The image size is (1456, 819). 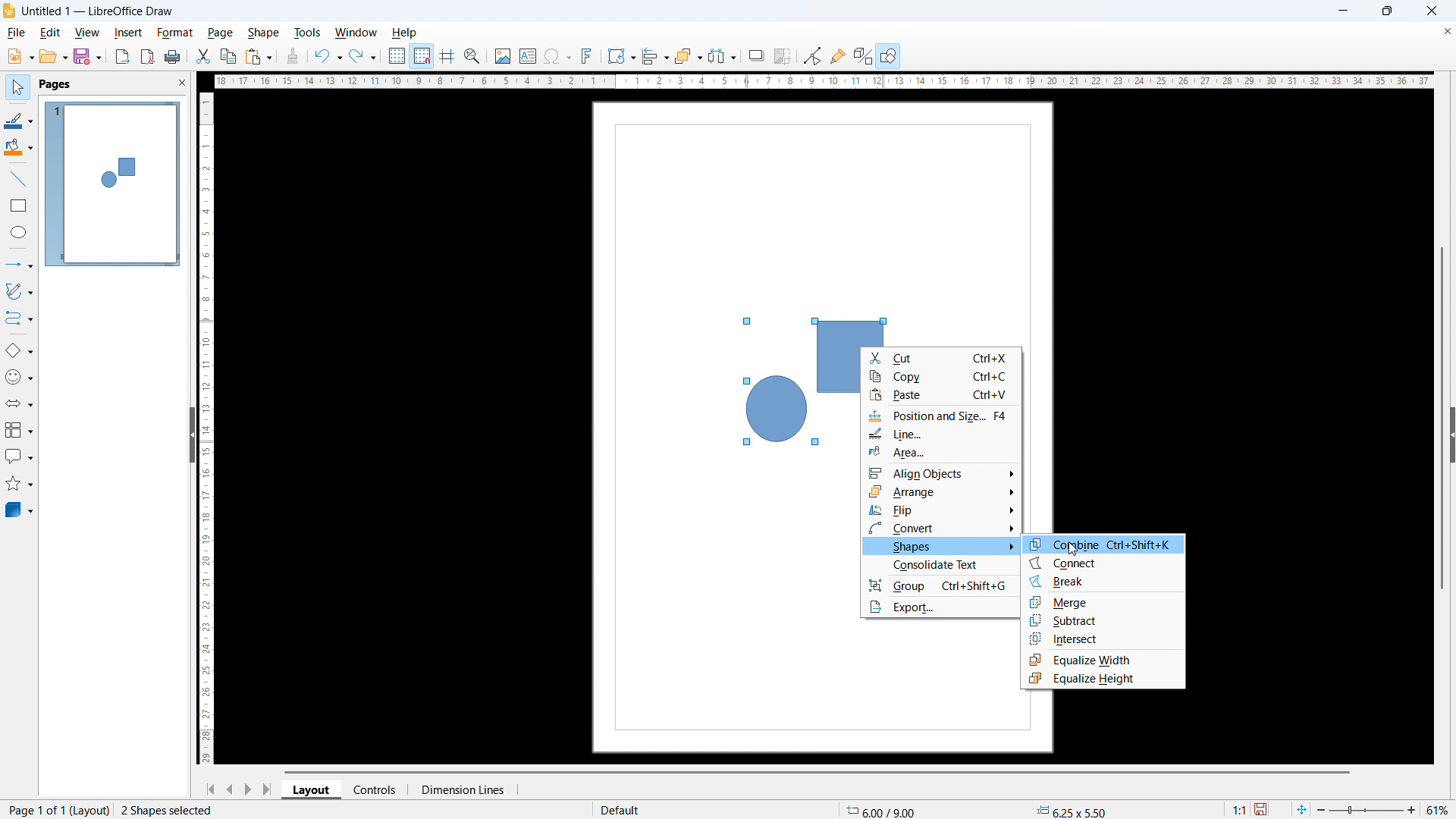 What do you see at coordinates (940, 585) in the screenshot?
I see `group` at bounding box center [940, 585].